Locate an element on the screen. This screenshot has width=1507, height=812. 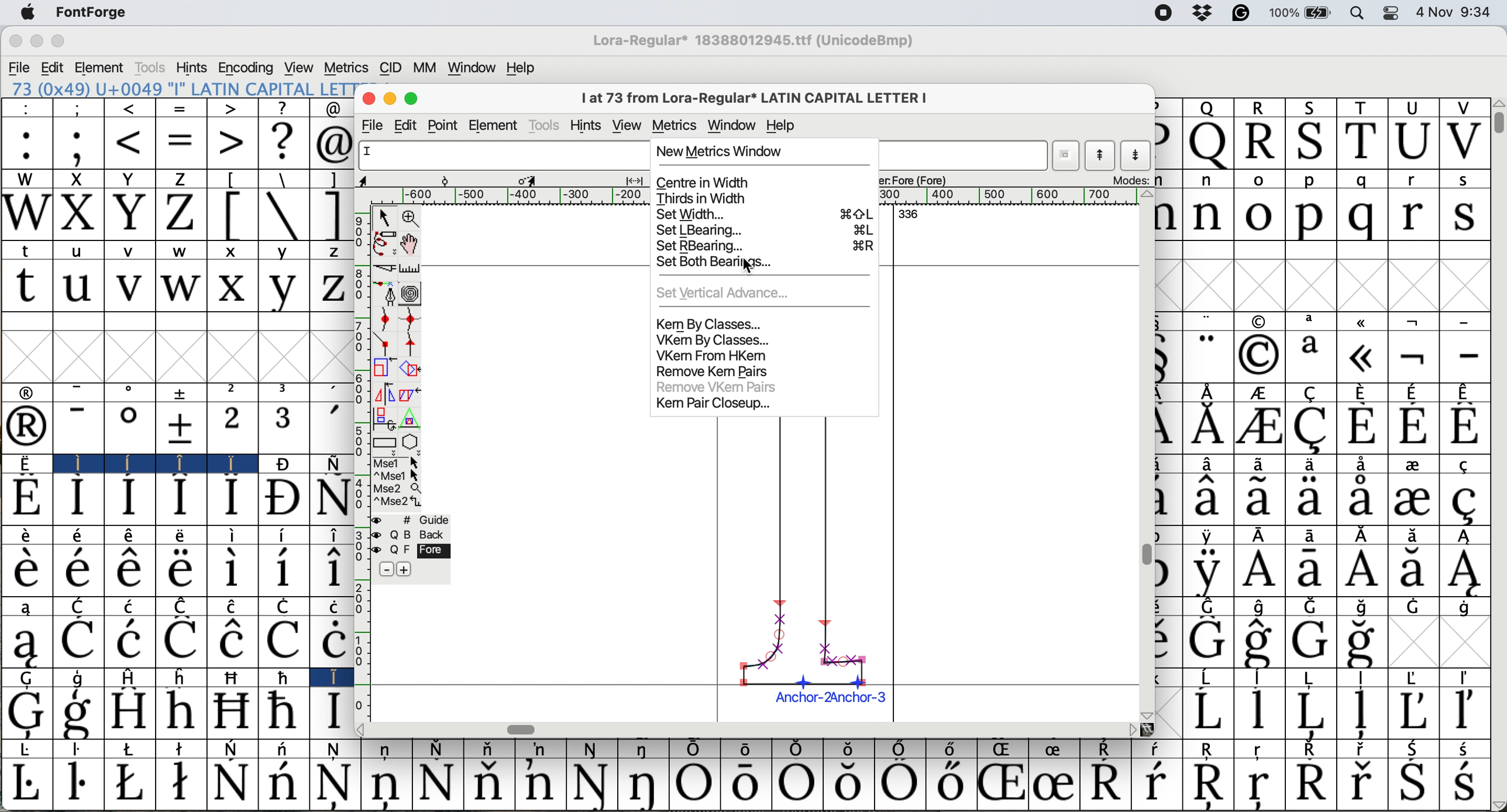
skew the selection is located at coordinates (410, 393).